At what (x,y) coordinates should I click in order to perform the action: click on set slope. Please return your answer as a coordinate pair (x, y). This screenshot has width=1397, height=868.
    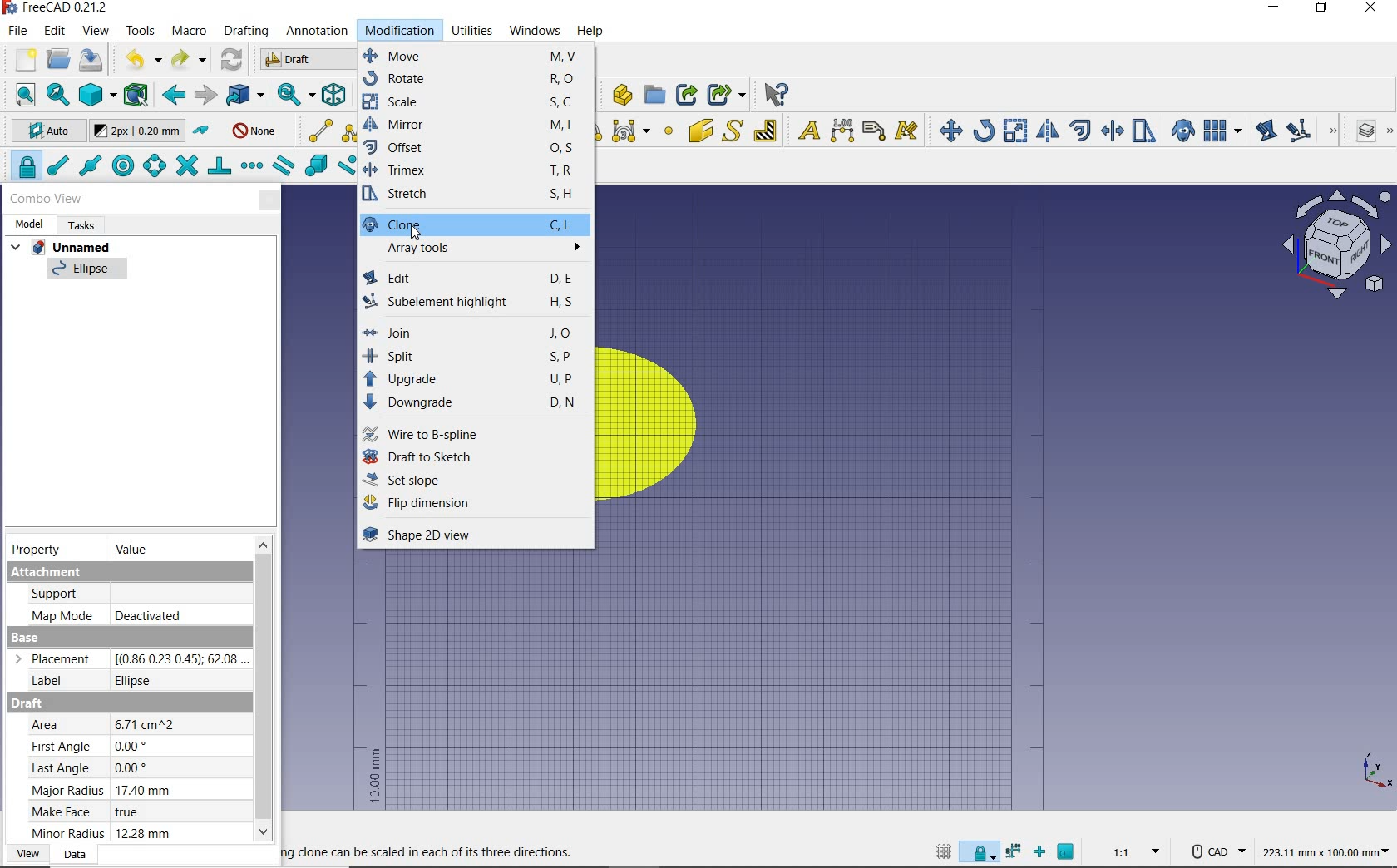
    Looking at the image, I should click on (469, 481).